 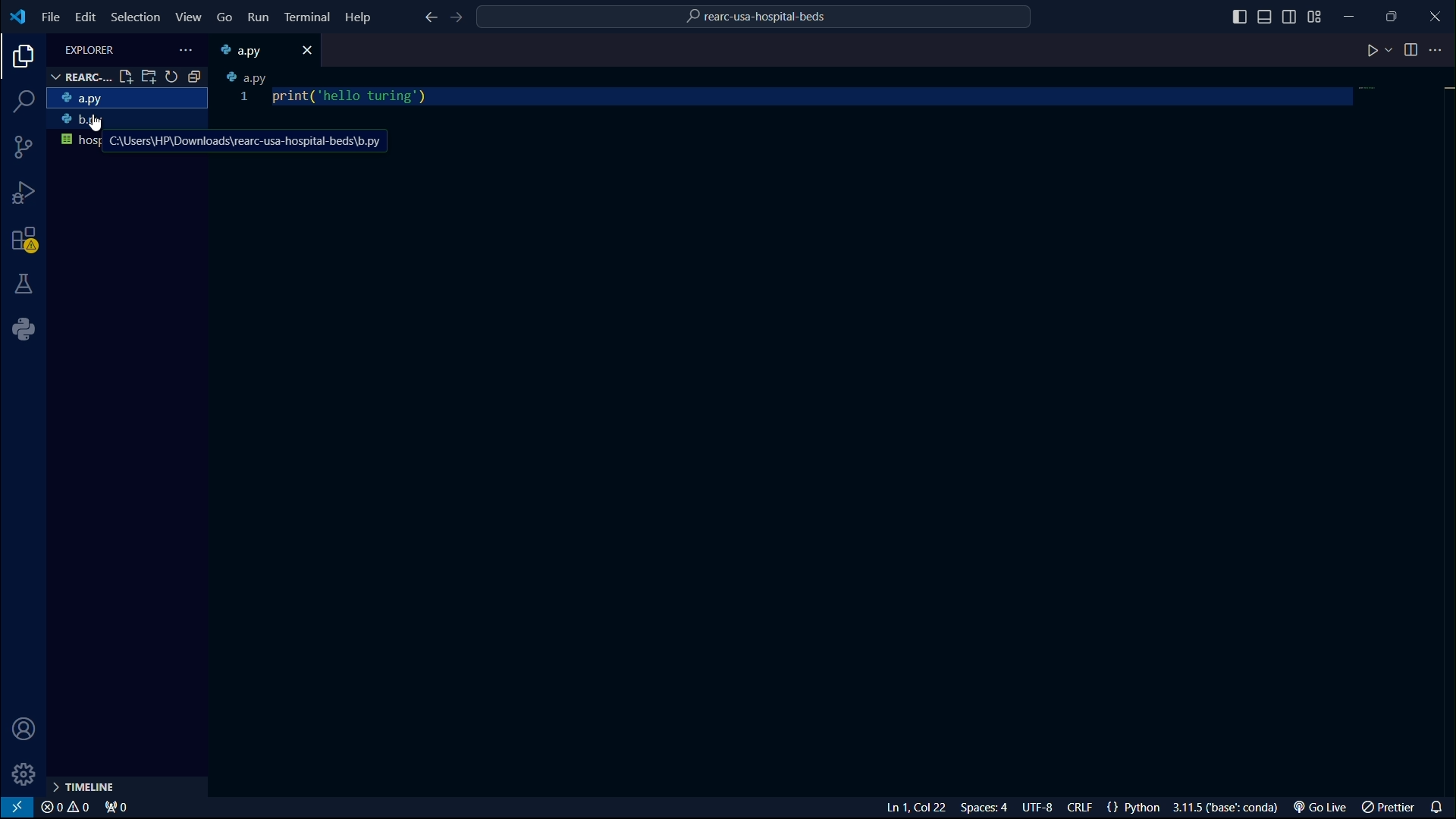 What do you see at coordinates (127, 99) in the screenshot?
I see `a.py` at bounding box center [127, 99].